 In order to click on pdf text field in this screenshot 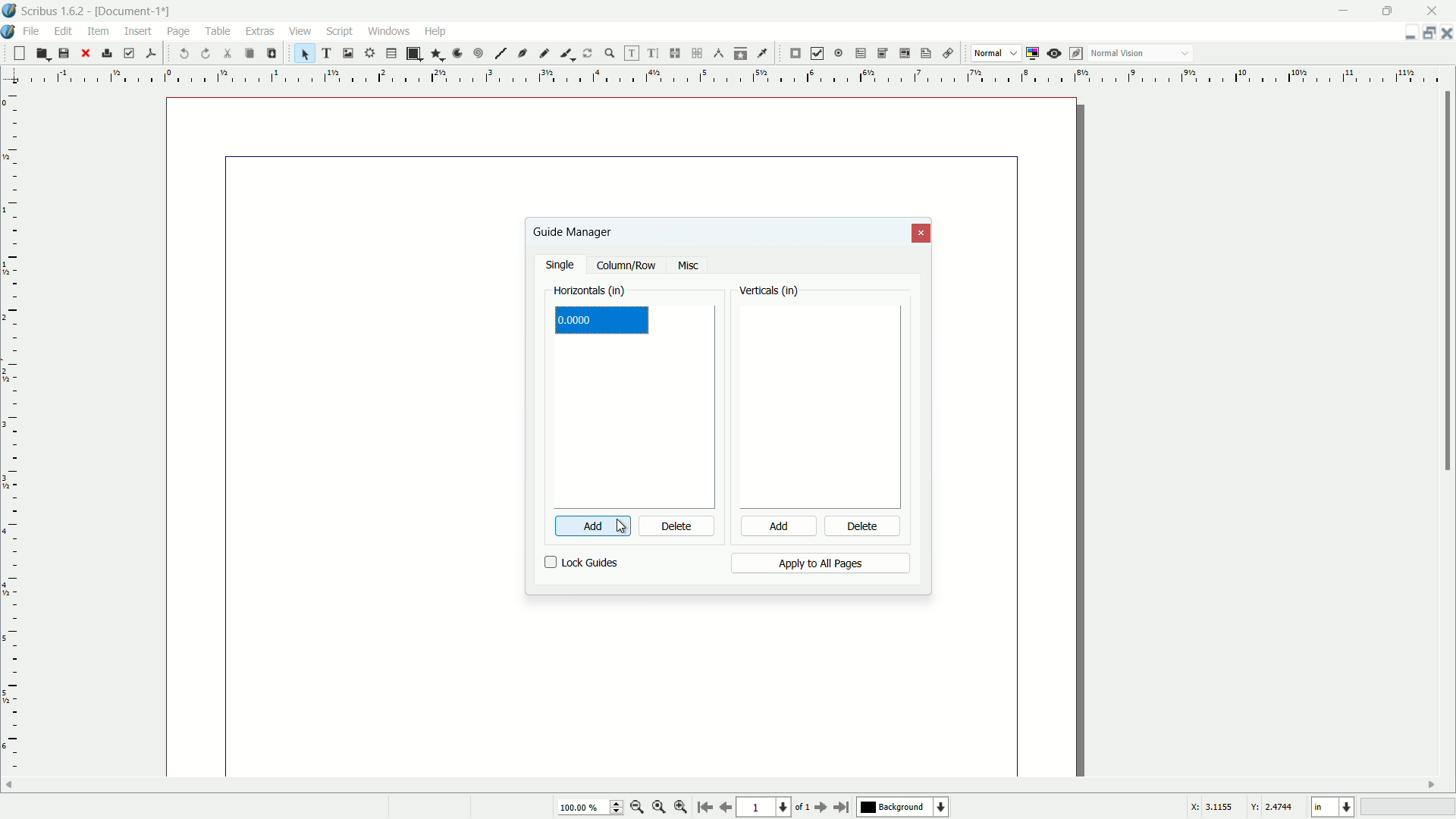, I will do `click(858, 54)`.